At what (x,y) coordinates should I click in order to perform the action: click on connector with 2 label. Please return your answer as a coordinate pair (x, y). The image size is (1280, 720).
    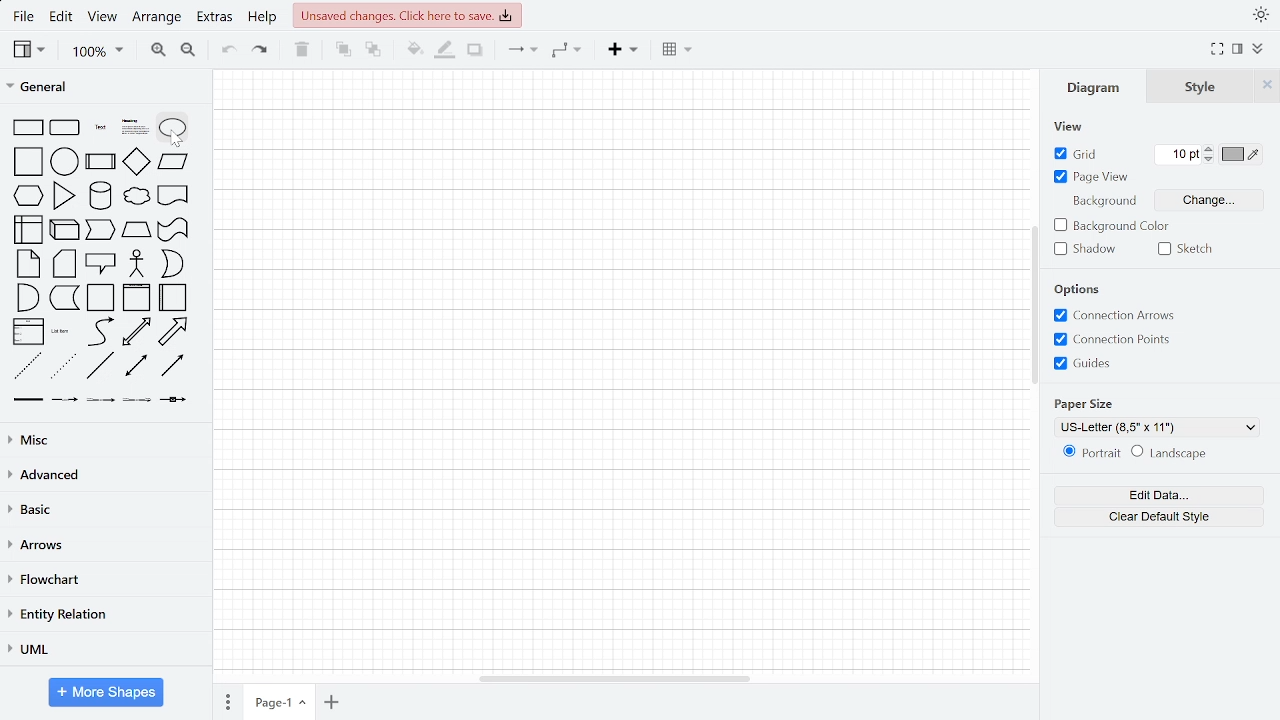
    Looking at the image, I should click on (101, 402).